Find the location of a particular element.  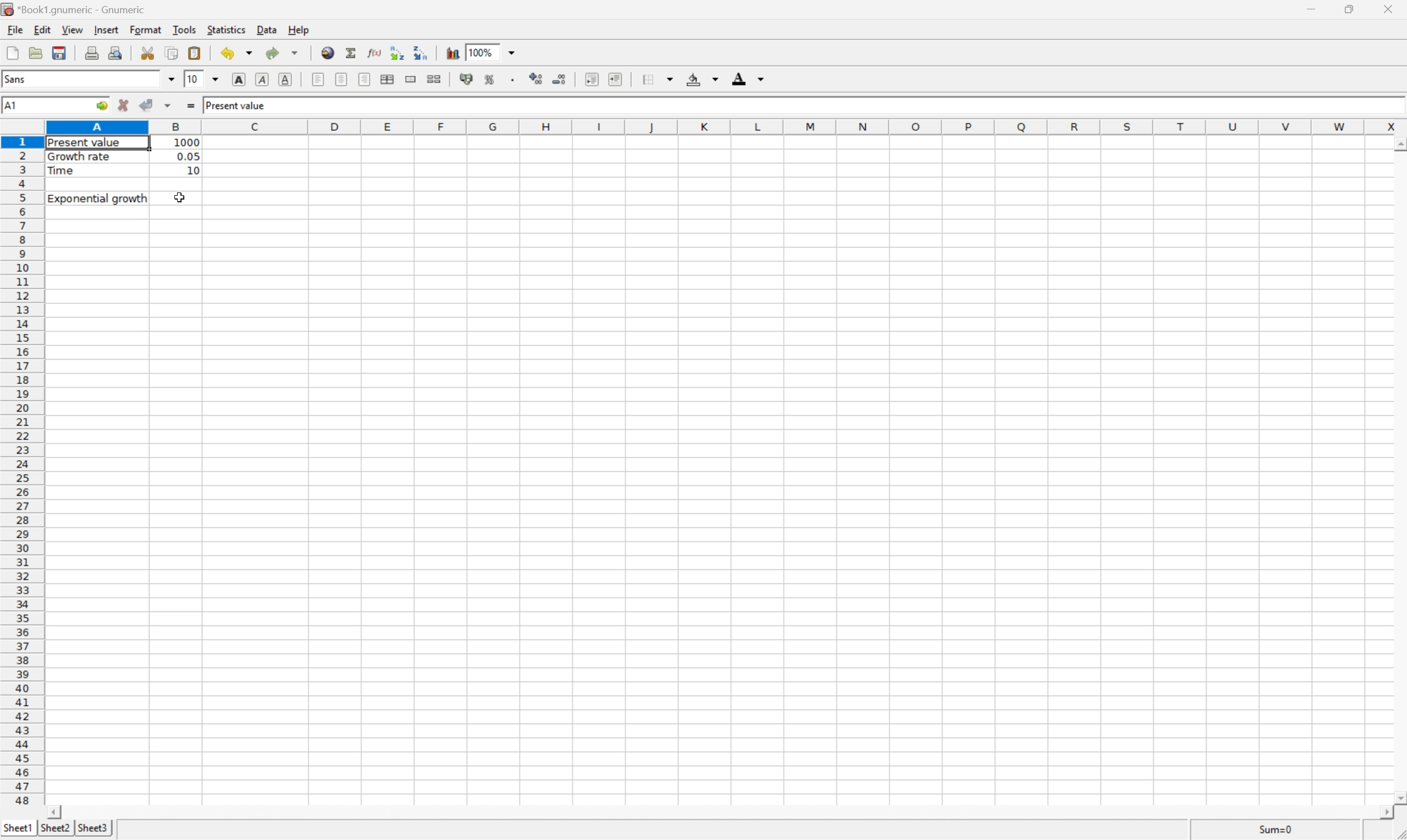

10 is located at coordinates (191, 172).